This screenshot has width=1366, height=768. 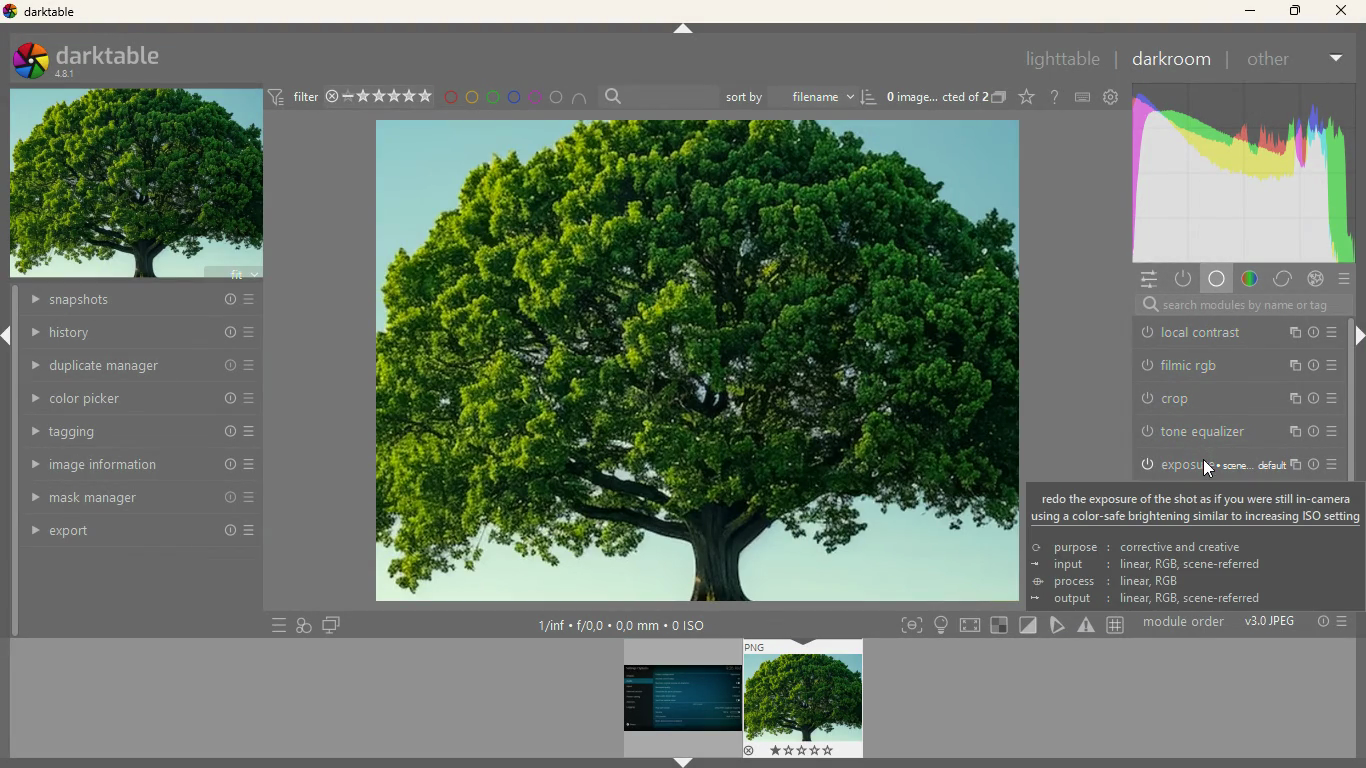 I want to click on doubt, so click(x=1052, y=98).